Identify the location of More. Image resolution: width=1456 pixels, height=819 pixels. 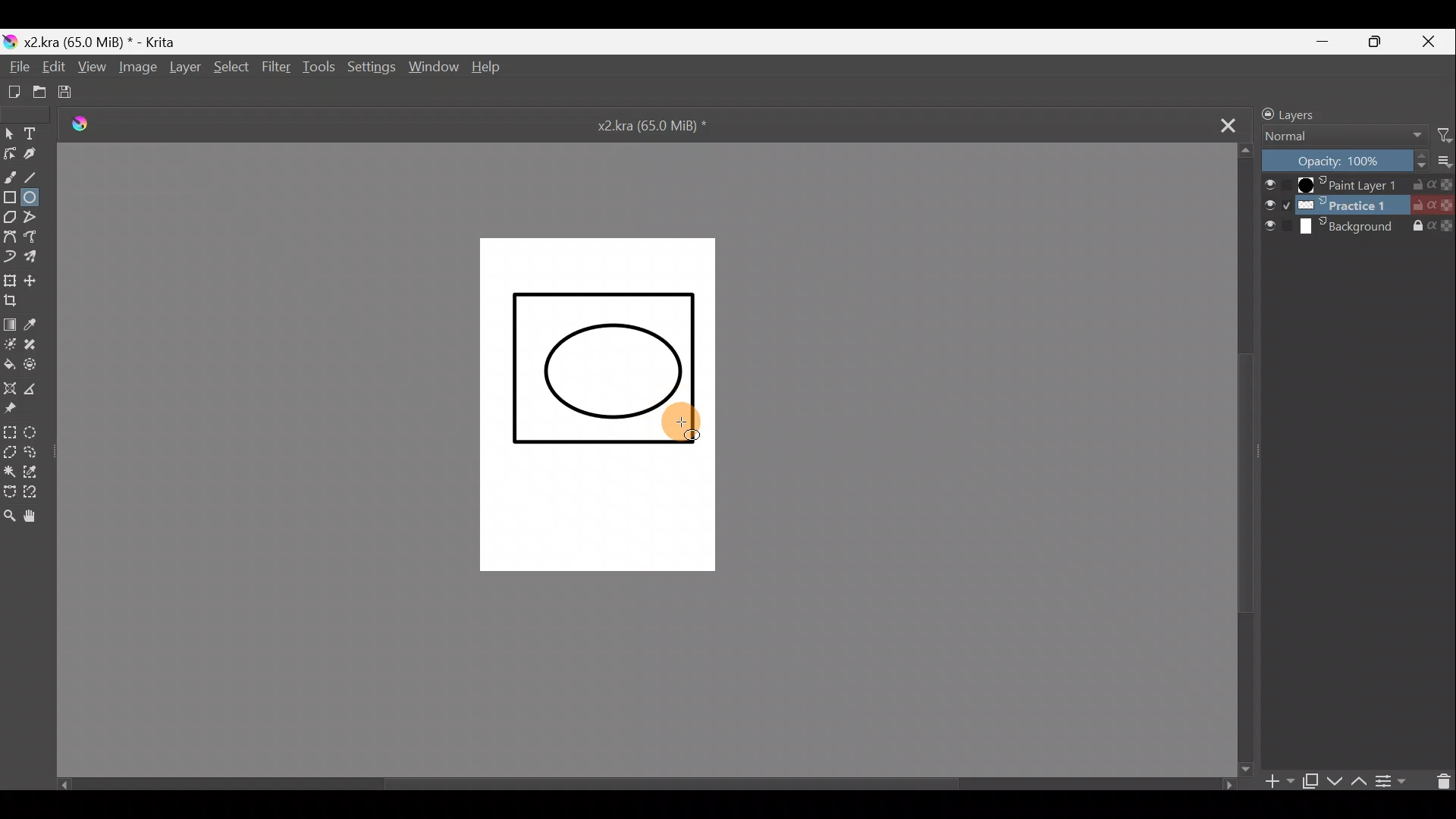
(1441, 162).